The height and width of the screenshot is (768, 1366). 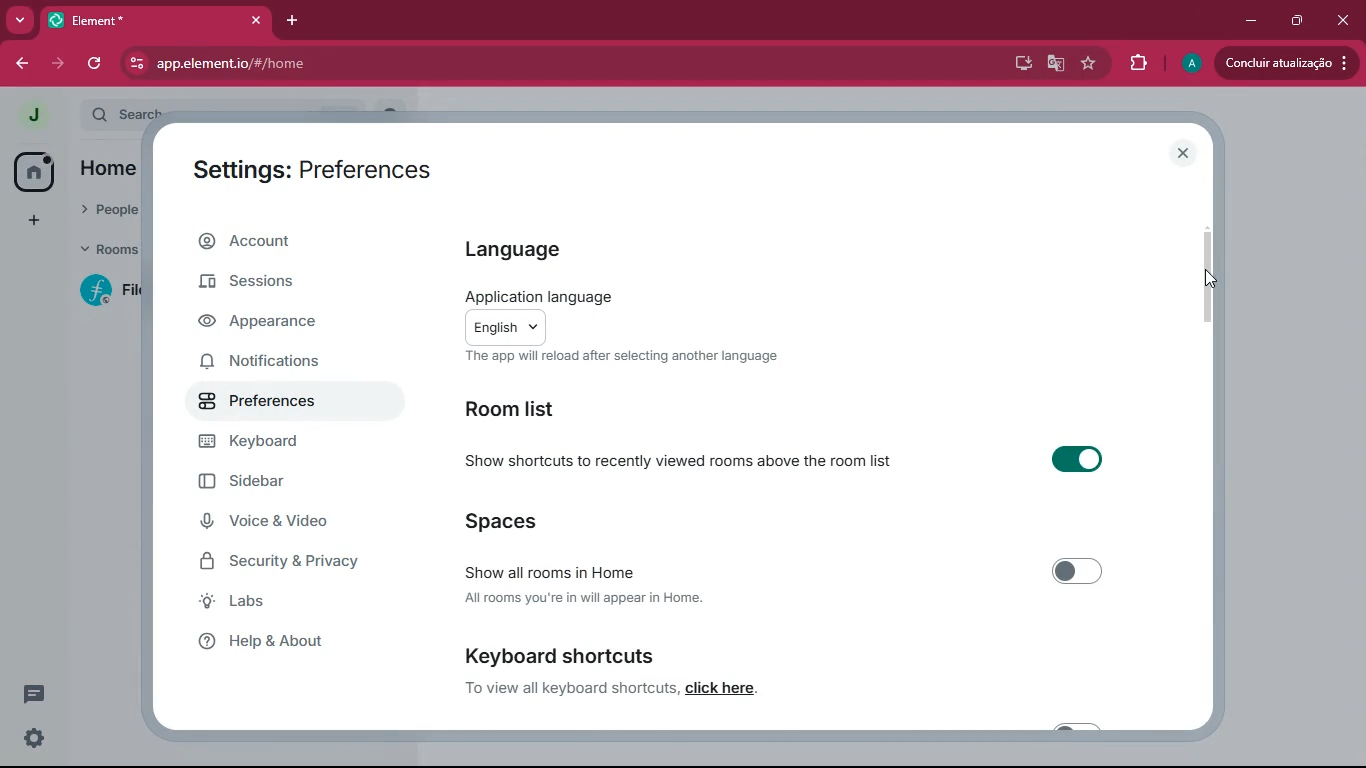 What do you see at coordinates (275, 365) in the screenshot?
I see `notifications` at bounding box center [275, 365].